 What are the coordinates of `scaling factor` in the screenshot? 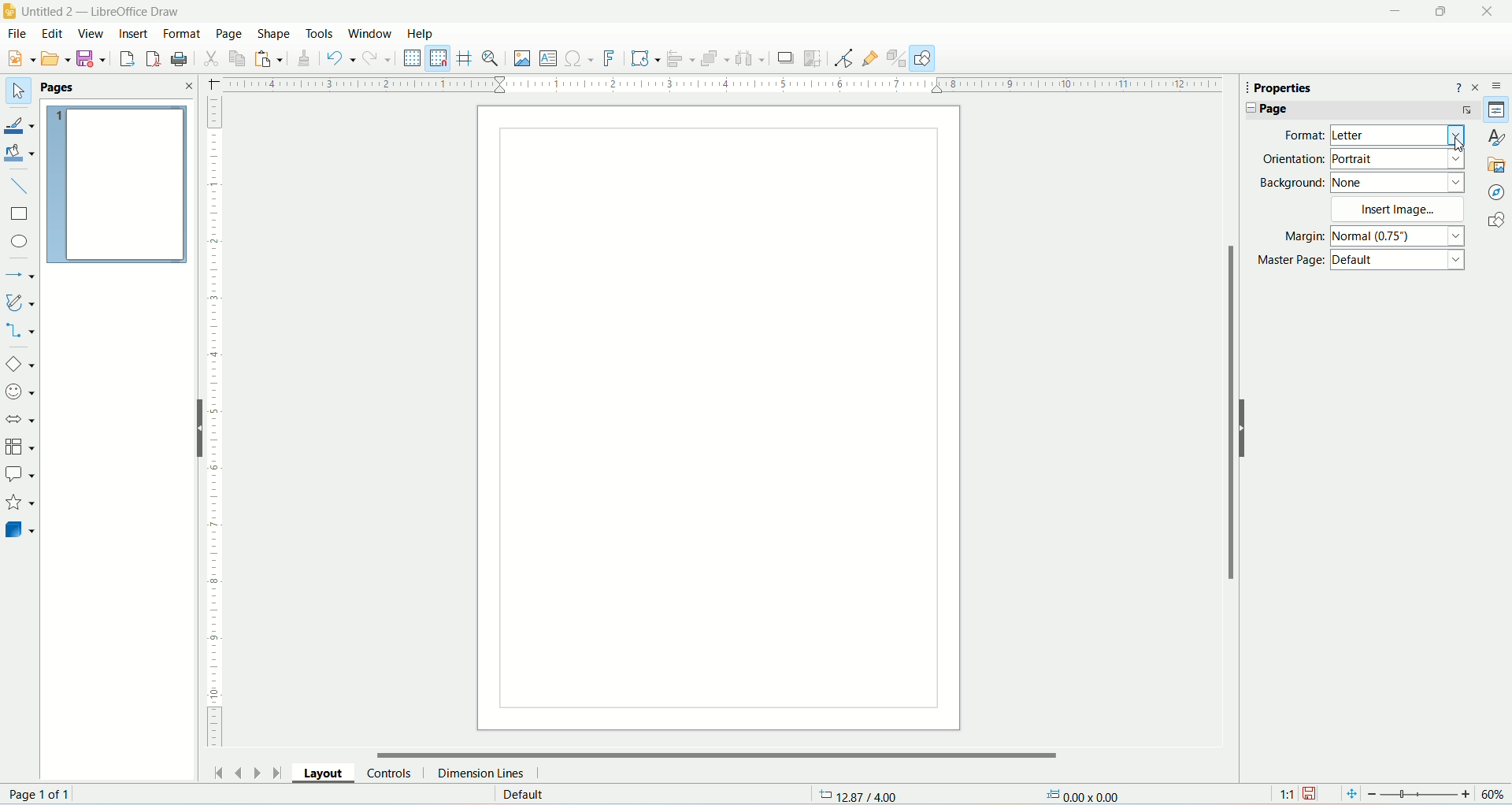 It's located at (1284, 795).